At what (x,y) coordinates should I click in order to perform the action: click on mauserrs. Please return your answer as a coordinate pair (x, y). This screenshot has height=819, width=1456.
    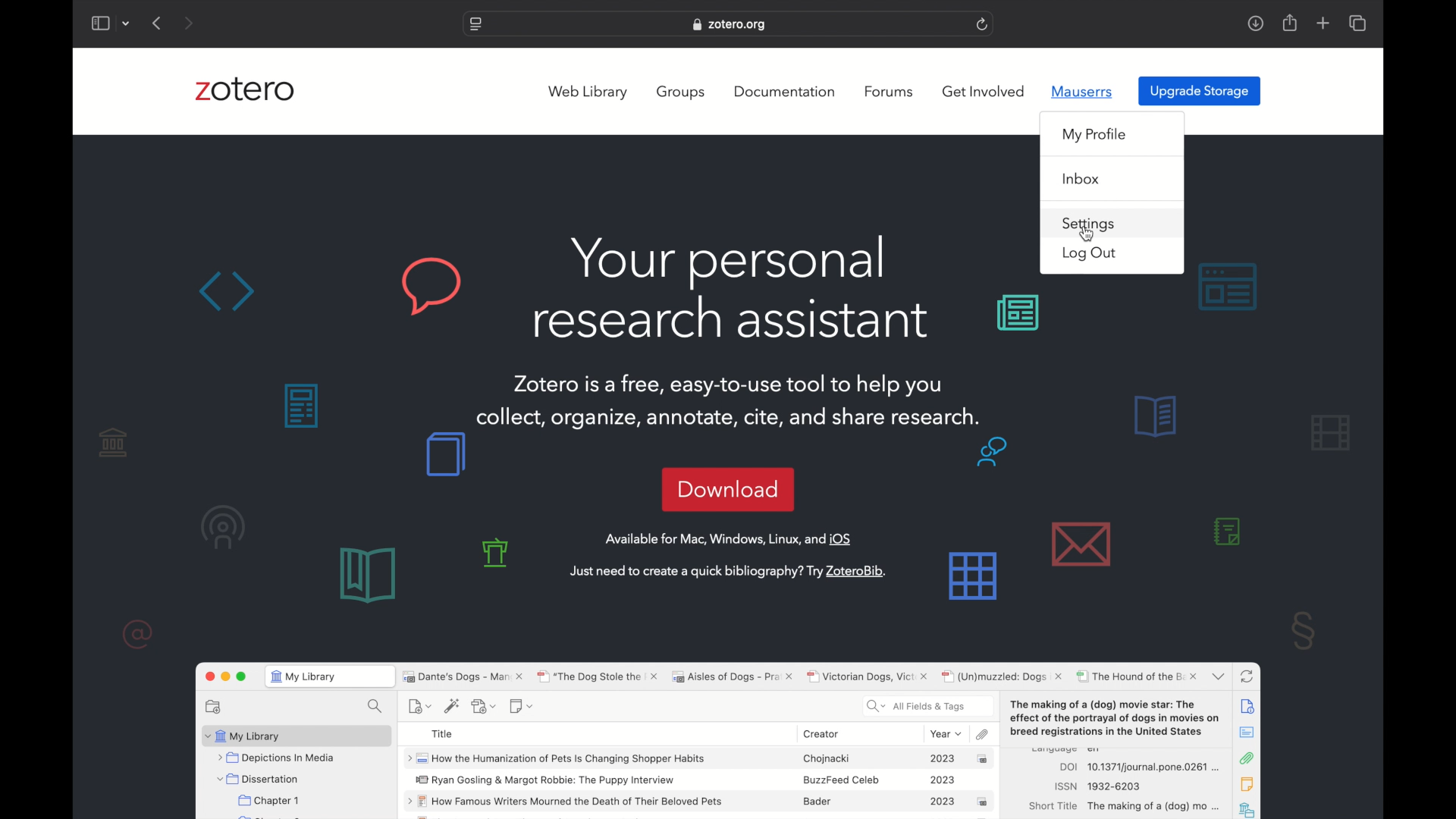
    Looking at the image, I should click on (1082, 91).